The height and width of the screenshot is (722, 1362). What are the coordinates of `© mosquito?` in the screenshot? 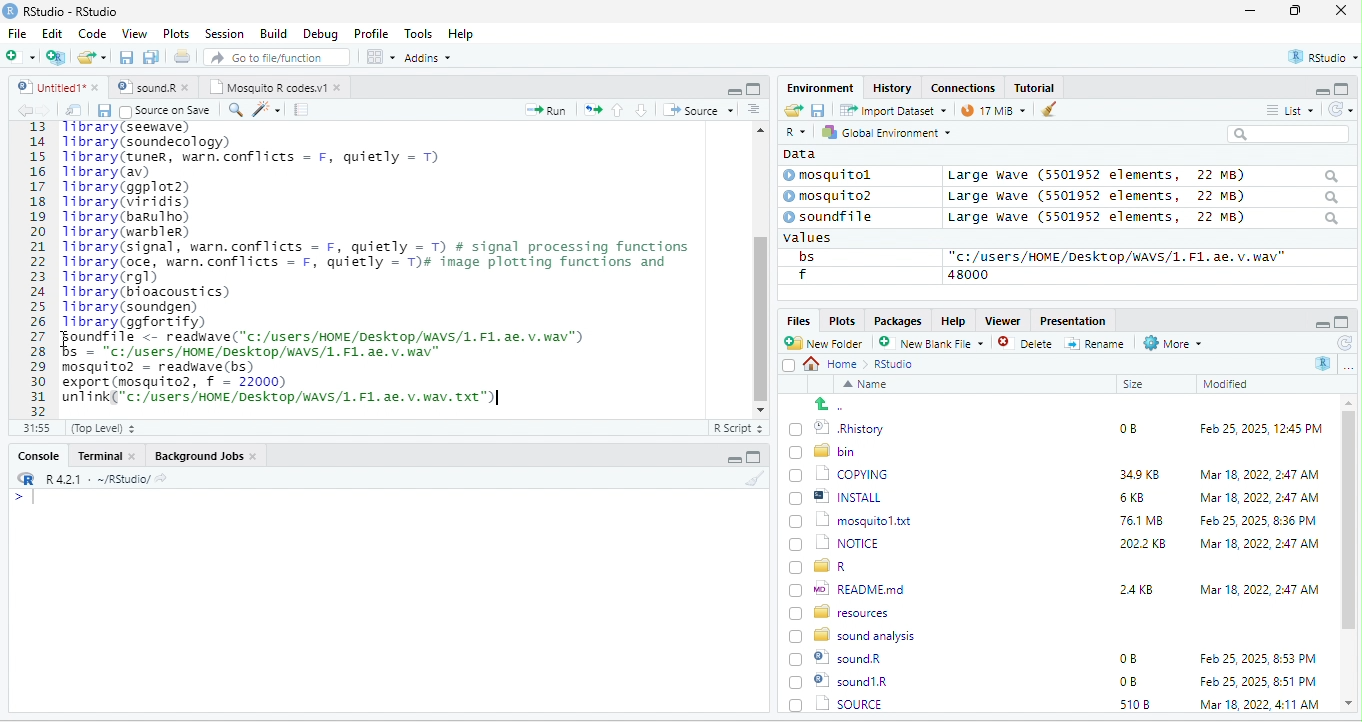 It's located at (834, 194).